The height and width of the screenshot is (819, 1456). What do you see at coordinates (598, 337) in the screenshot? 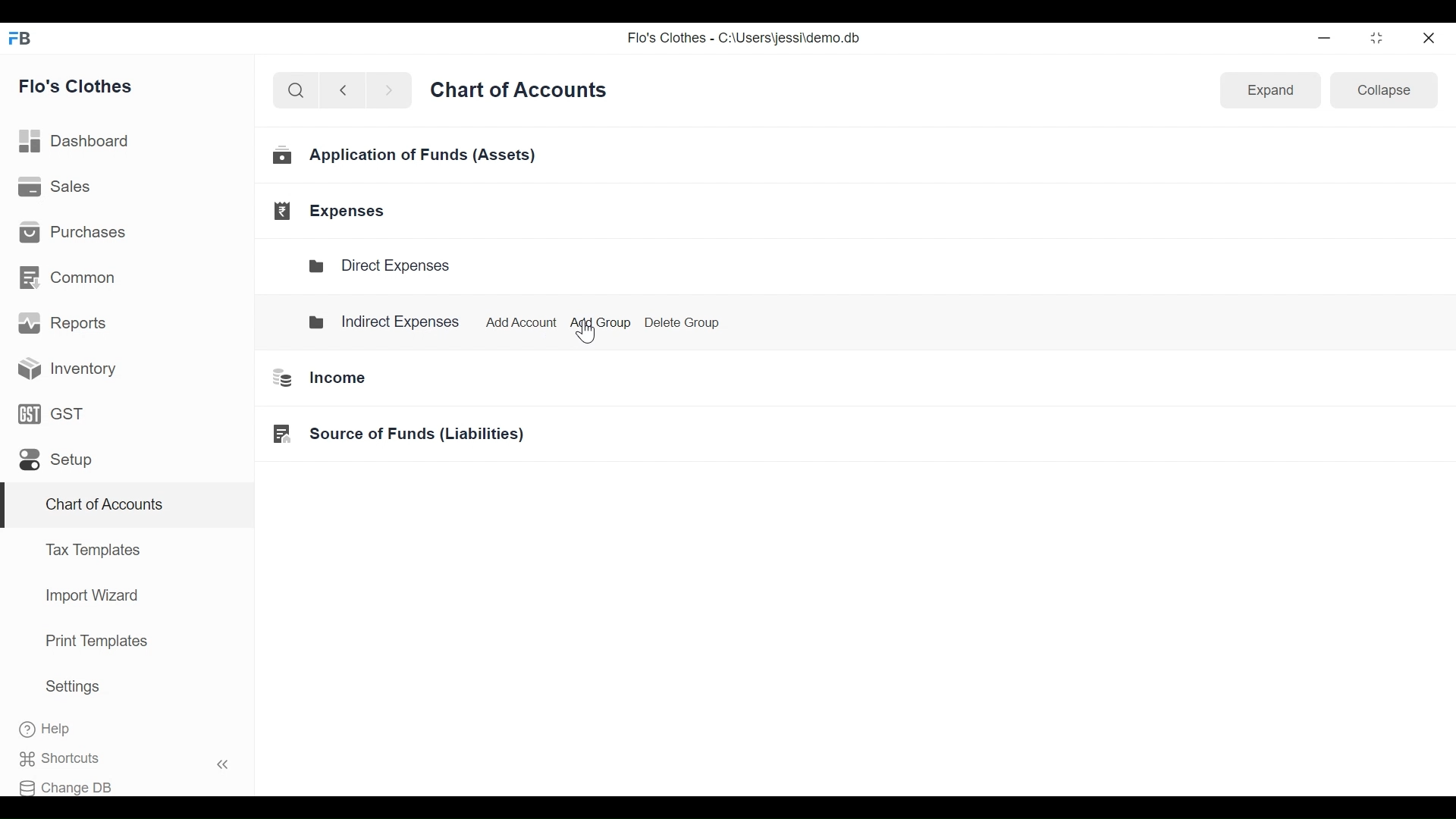
I see `Cursor` at bounding box center [598, 337].